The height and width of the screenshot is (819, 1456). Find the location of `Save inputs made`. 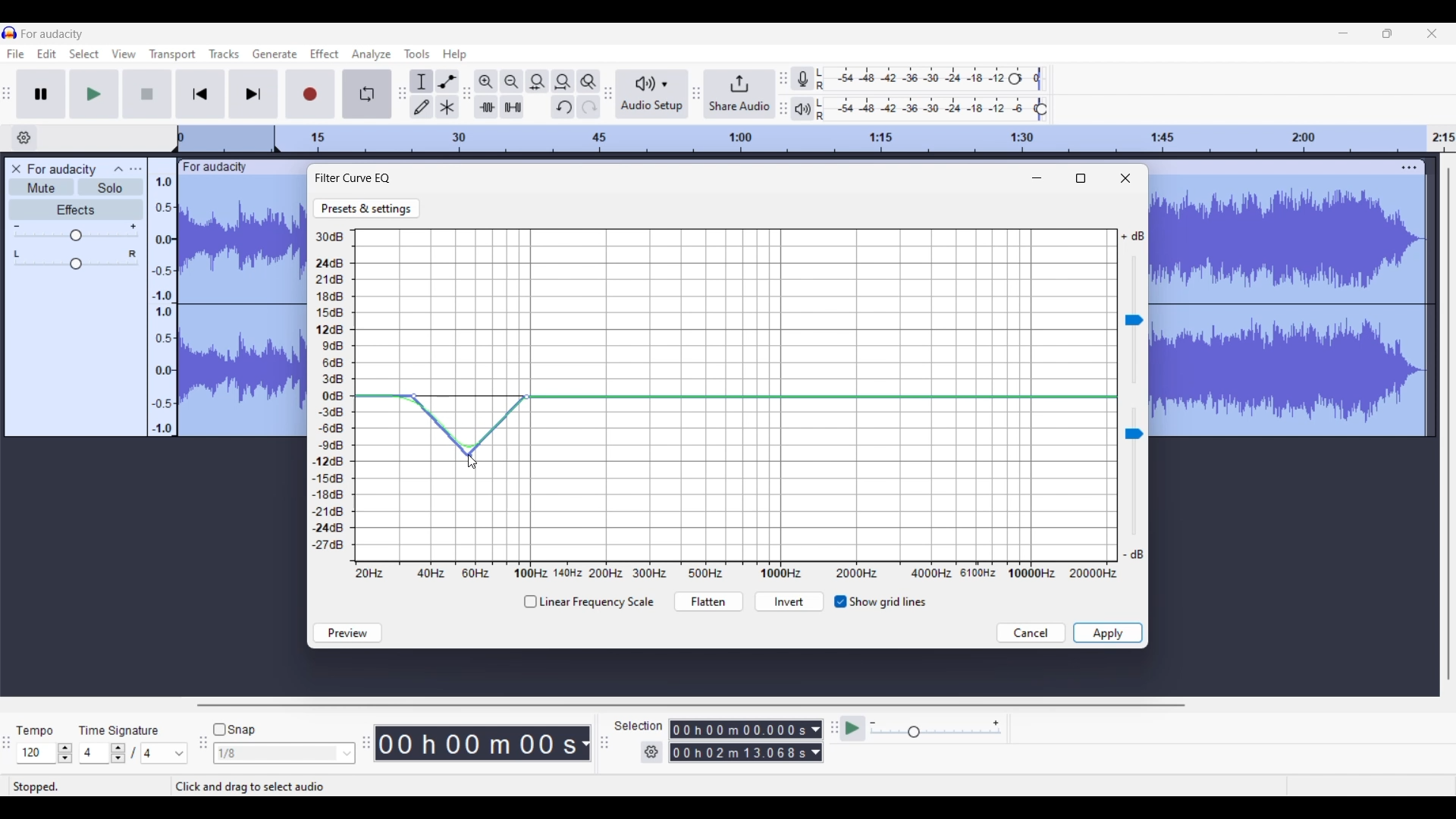

Save inputs made is located at coordinates (1108, 633).